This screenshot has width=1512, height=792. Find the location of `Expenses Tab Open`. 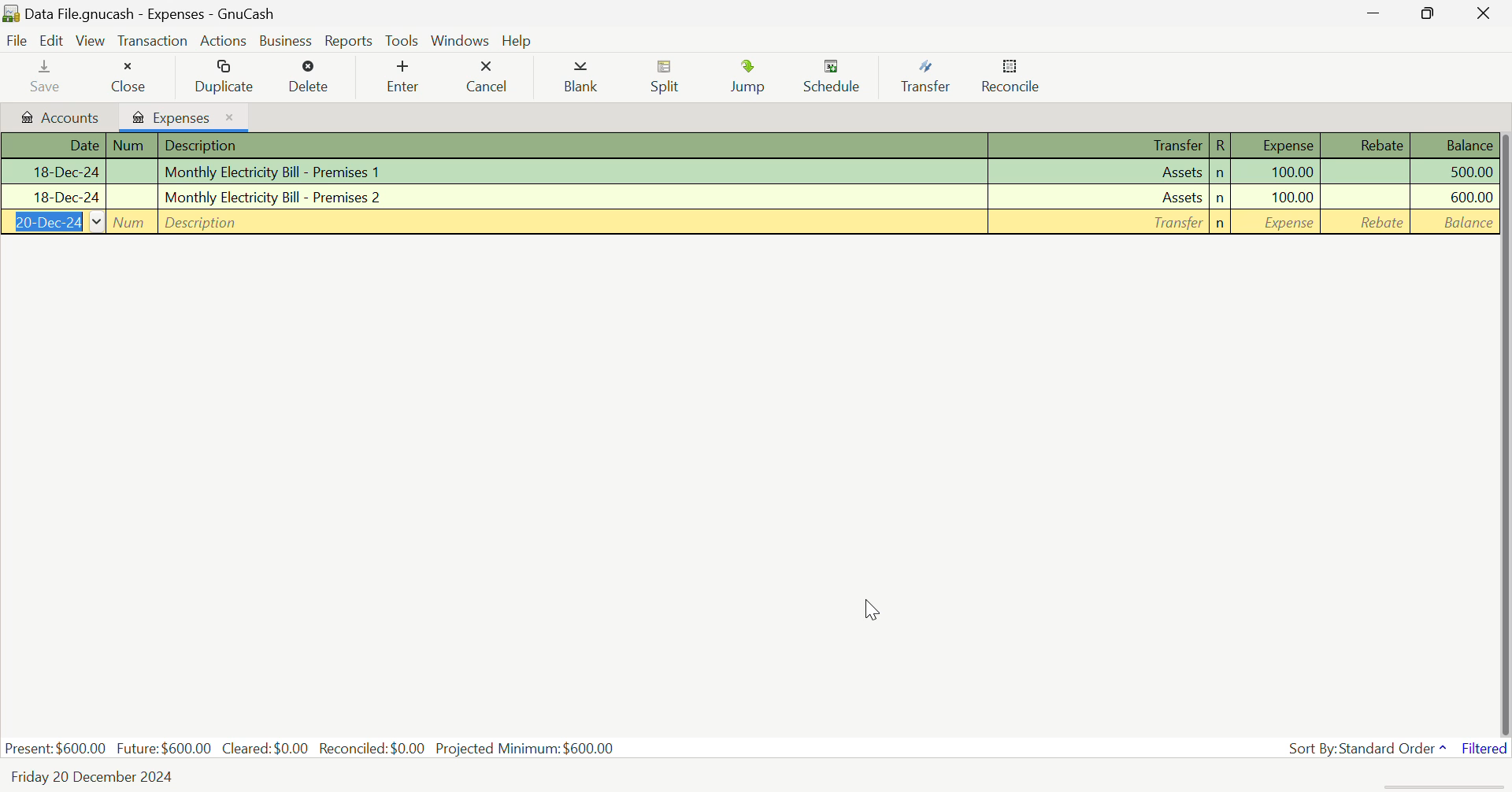

Expenses Tab Open is located at coordinates (185, 116).